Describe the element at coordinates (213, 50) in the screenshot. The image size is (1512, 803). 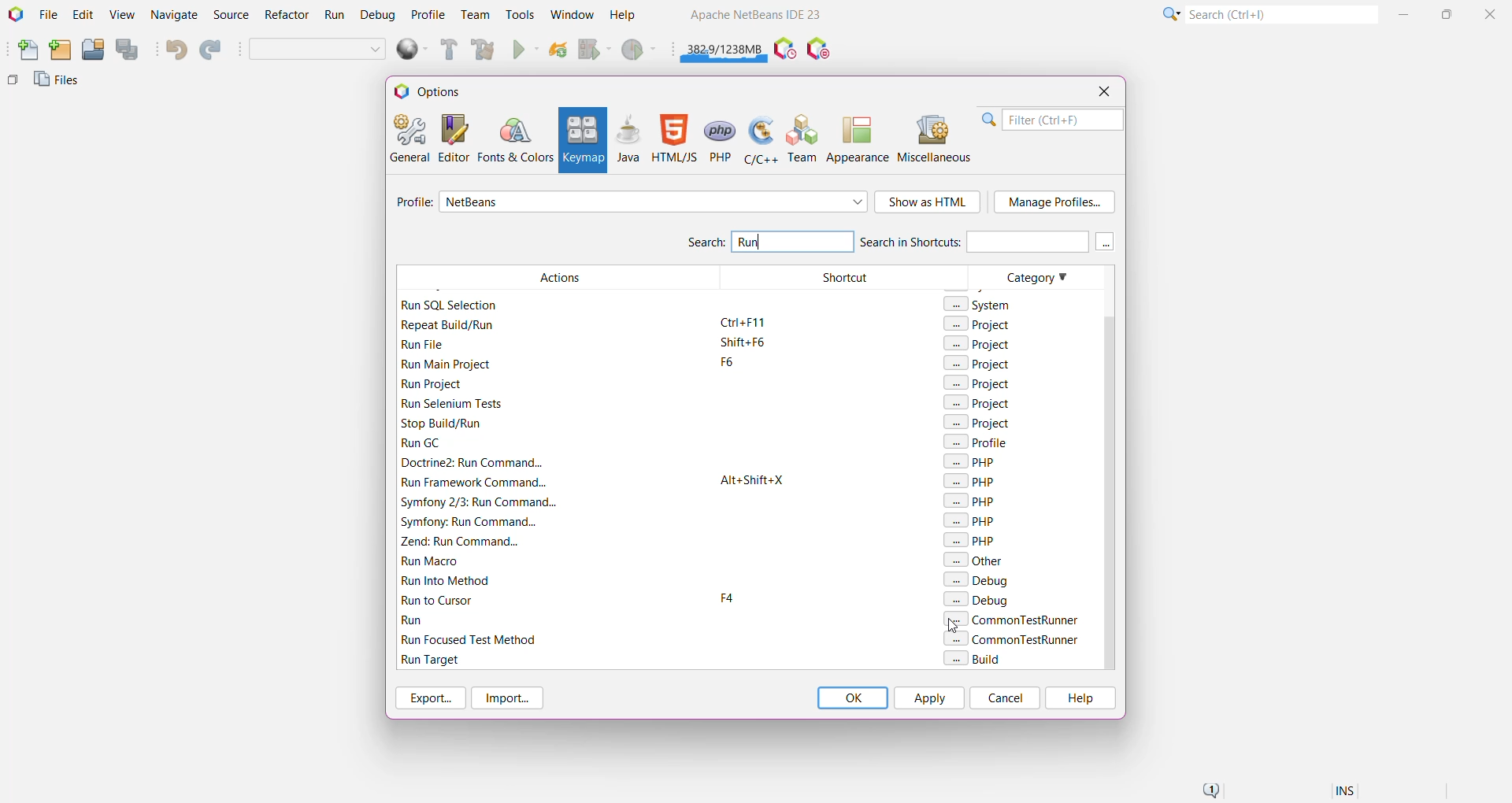
I see `Redo` at that location.